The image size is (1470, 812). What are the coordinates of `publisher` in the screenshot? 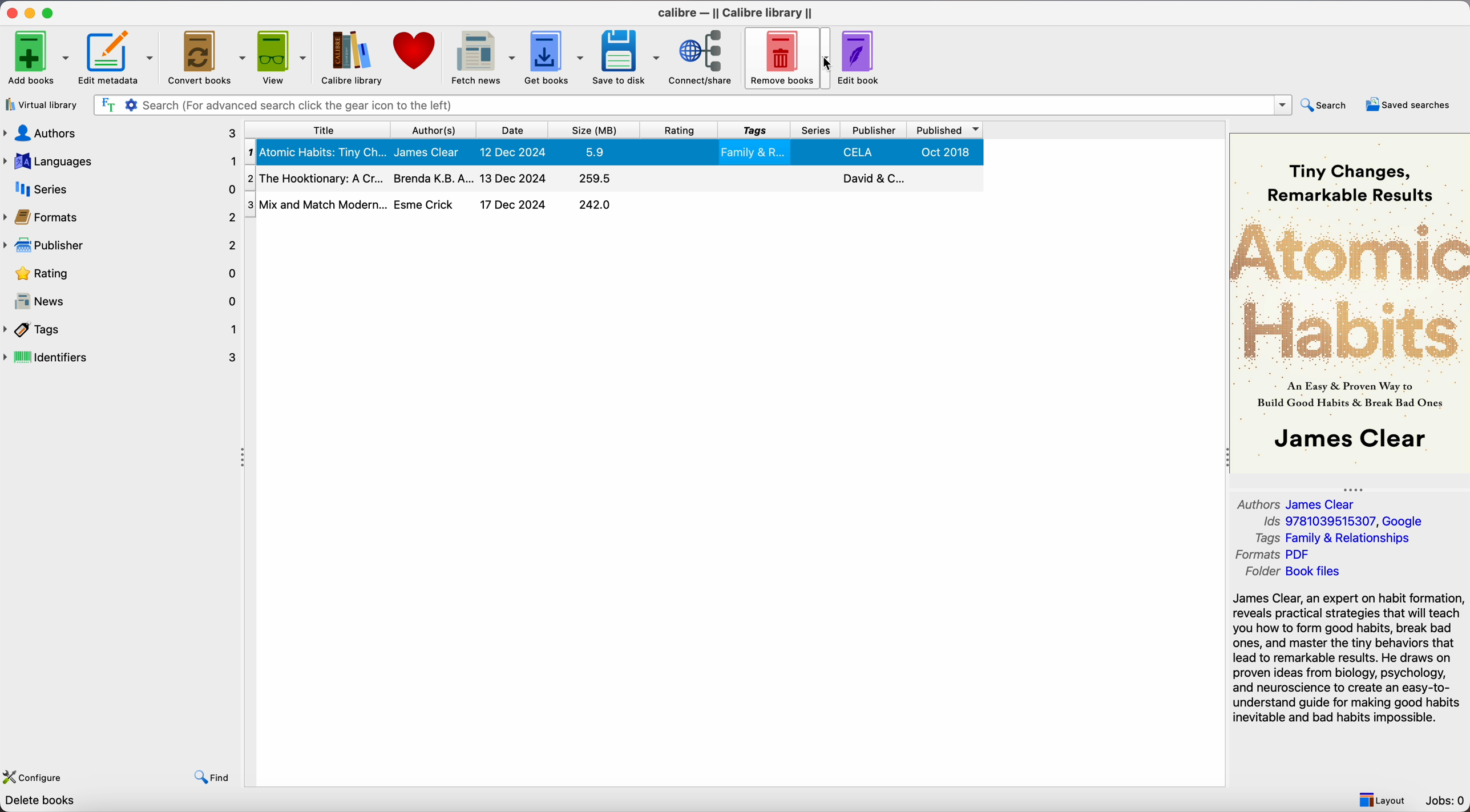 It's located at (122, 245).